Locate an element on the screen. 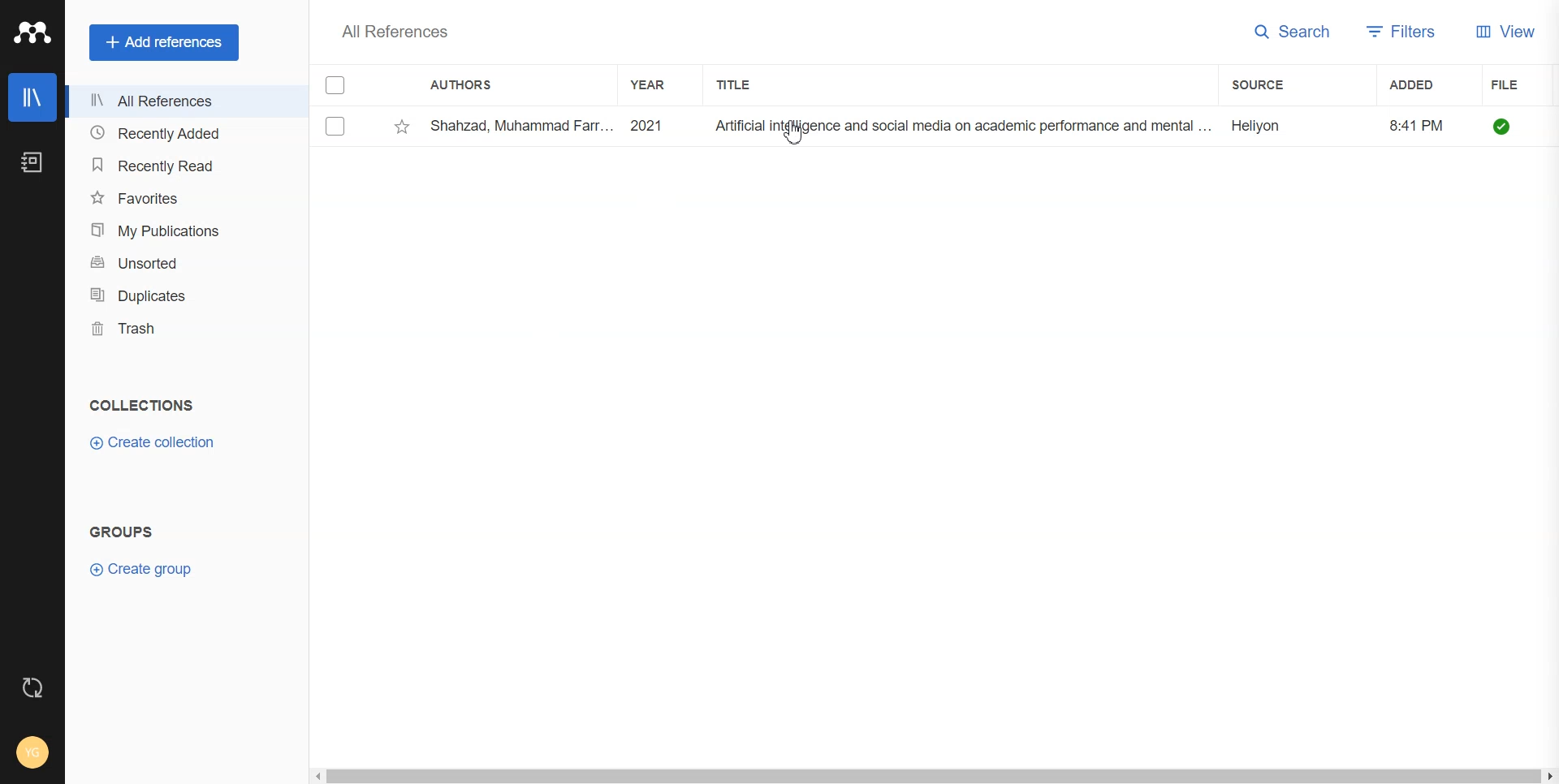  Text is located at coordinates (393, 33).